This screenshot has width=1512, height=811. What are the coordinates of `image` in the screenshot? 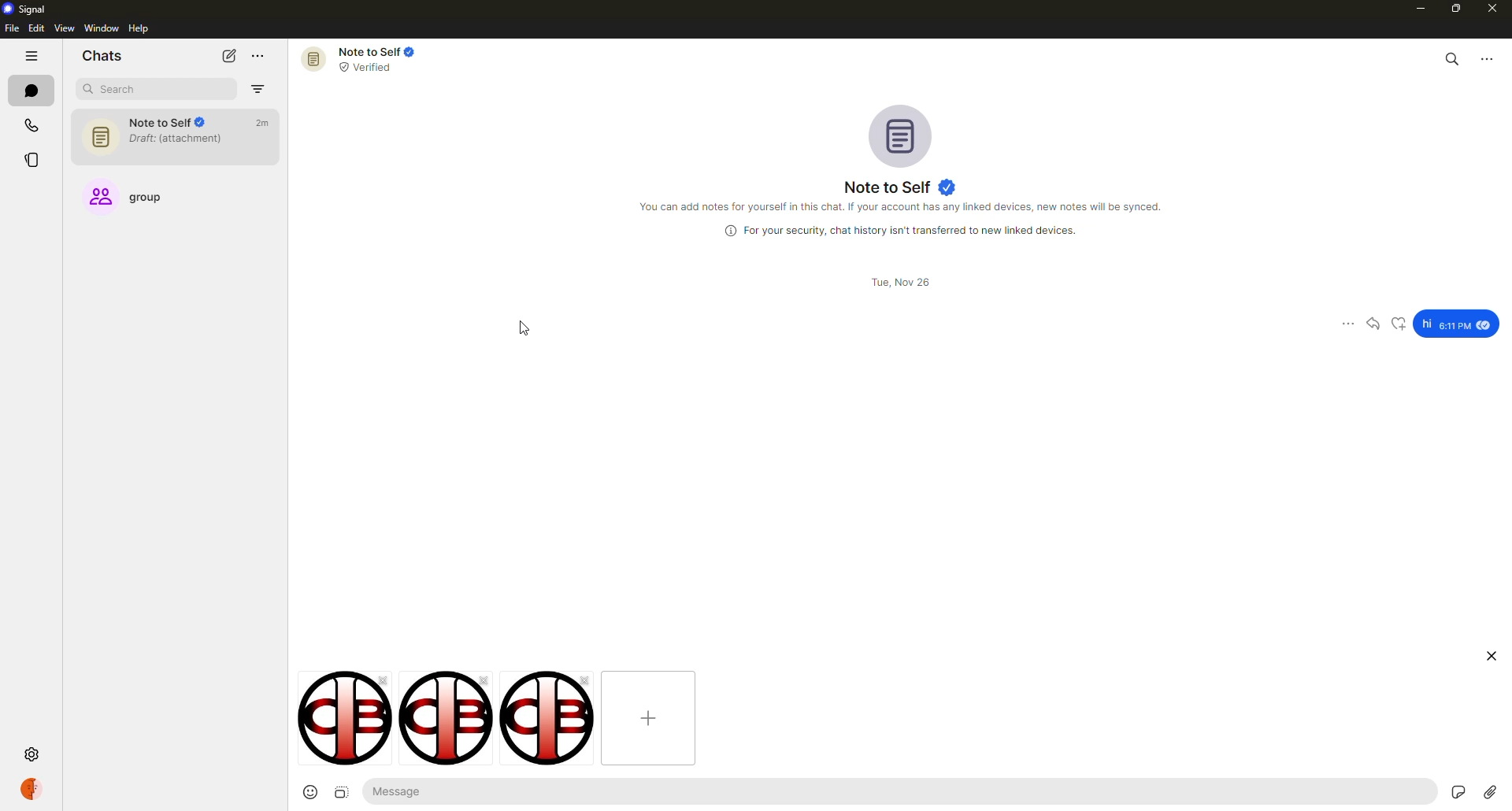 It's located at (539, 719).